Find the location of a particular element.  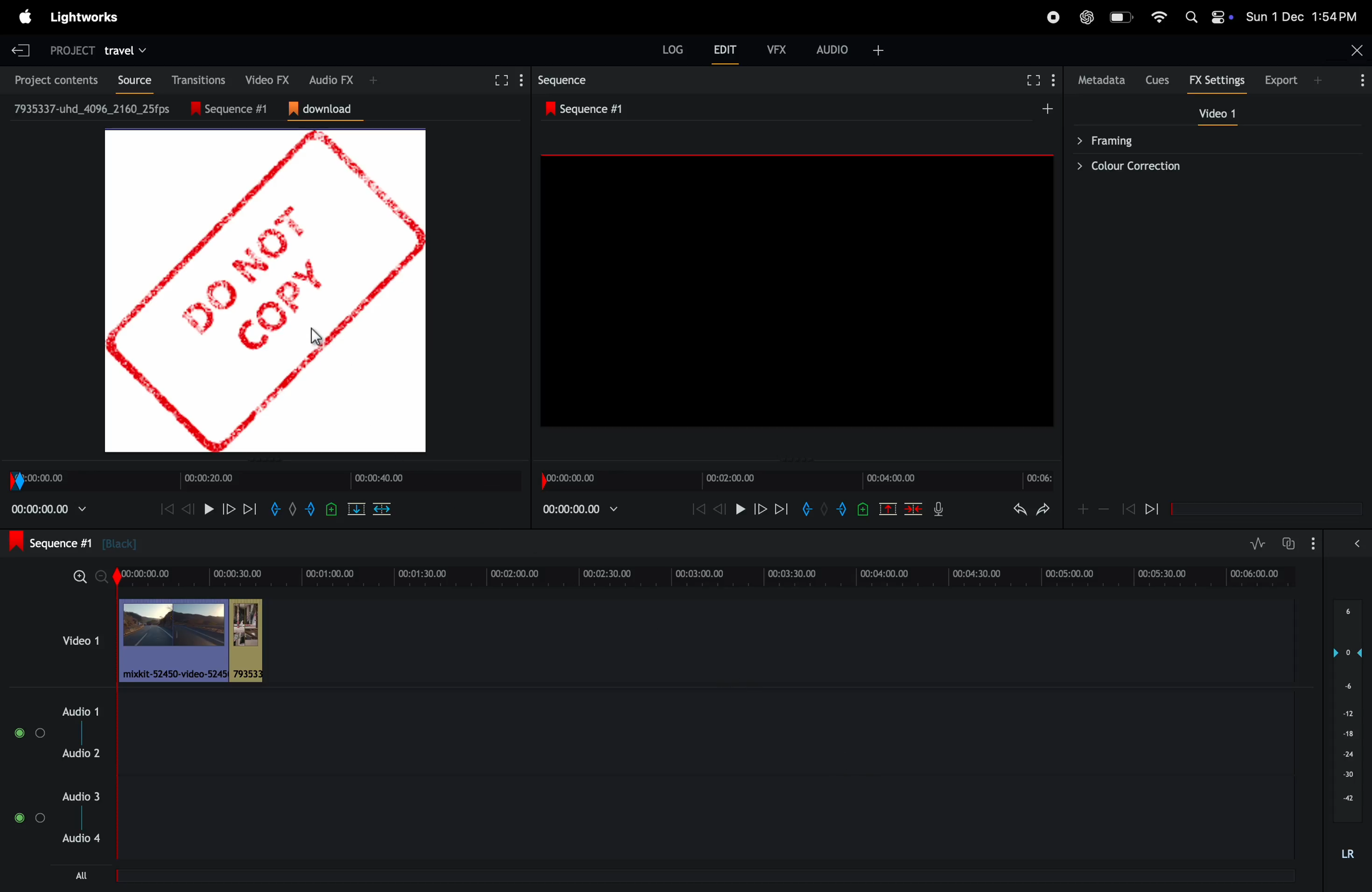

toggle auto track sync is located at coordinates (1287, 543).